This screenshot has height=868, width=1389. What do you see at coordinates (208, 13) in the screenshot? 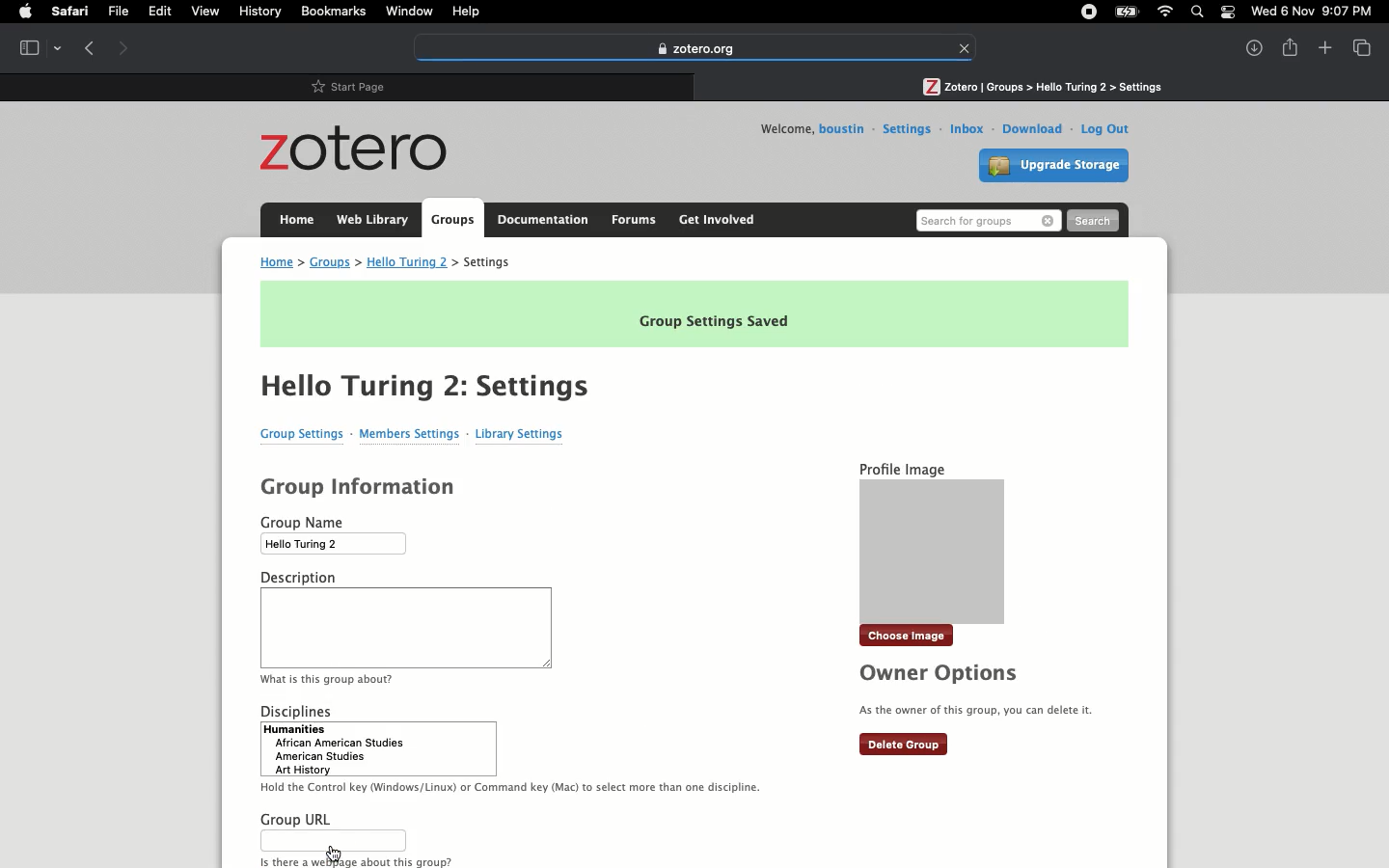
I see `View` at bounding box center [208, 13].